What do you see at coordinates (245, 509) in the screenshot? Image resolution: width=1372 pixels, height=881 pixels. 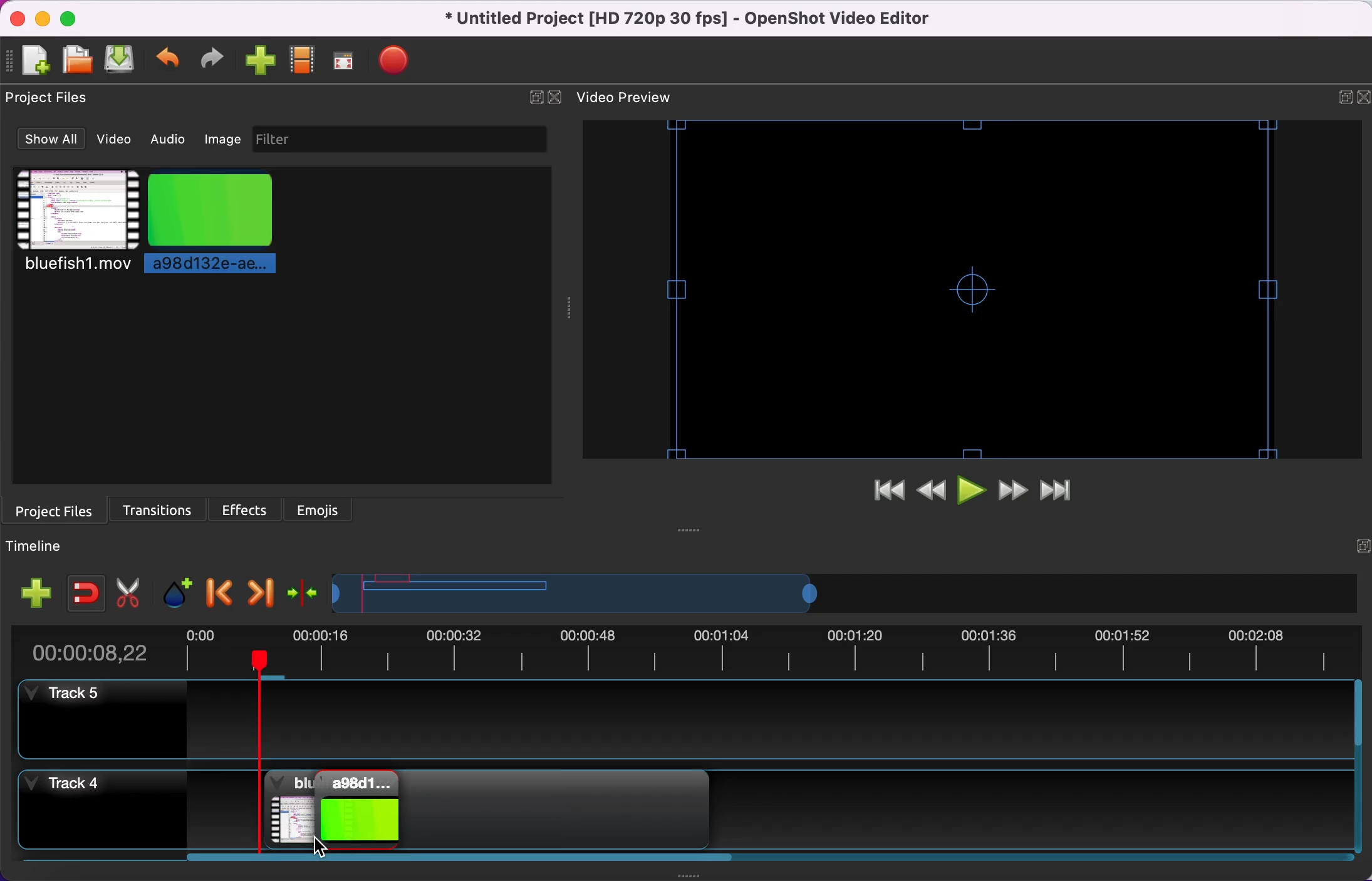 I see `effects` at bounding box center [245, 509].